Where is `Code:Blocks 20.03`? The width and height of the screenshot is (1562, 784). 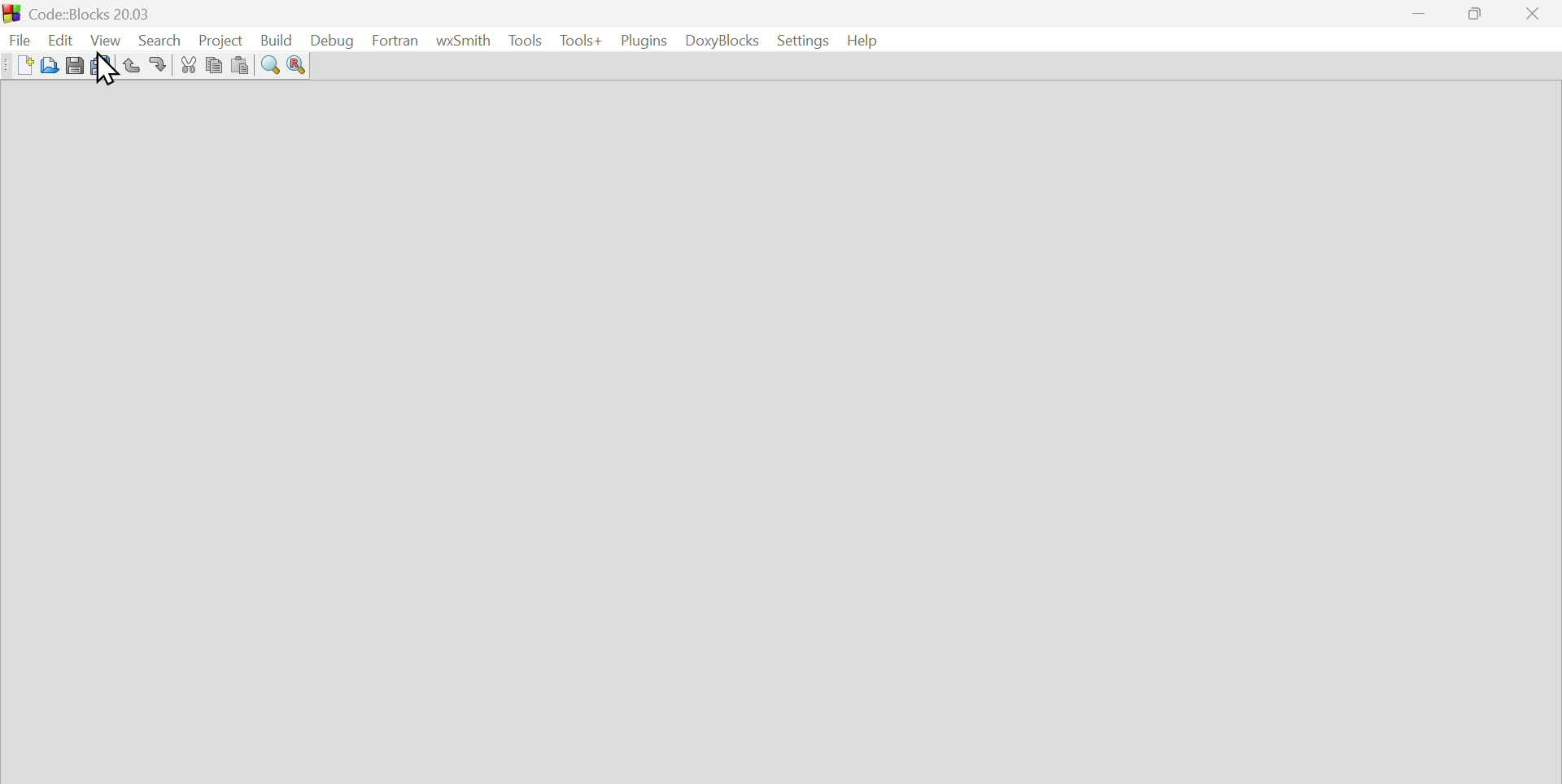 Code:Blocks 20.03 is located at coordinates (94, 11).